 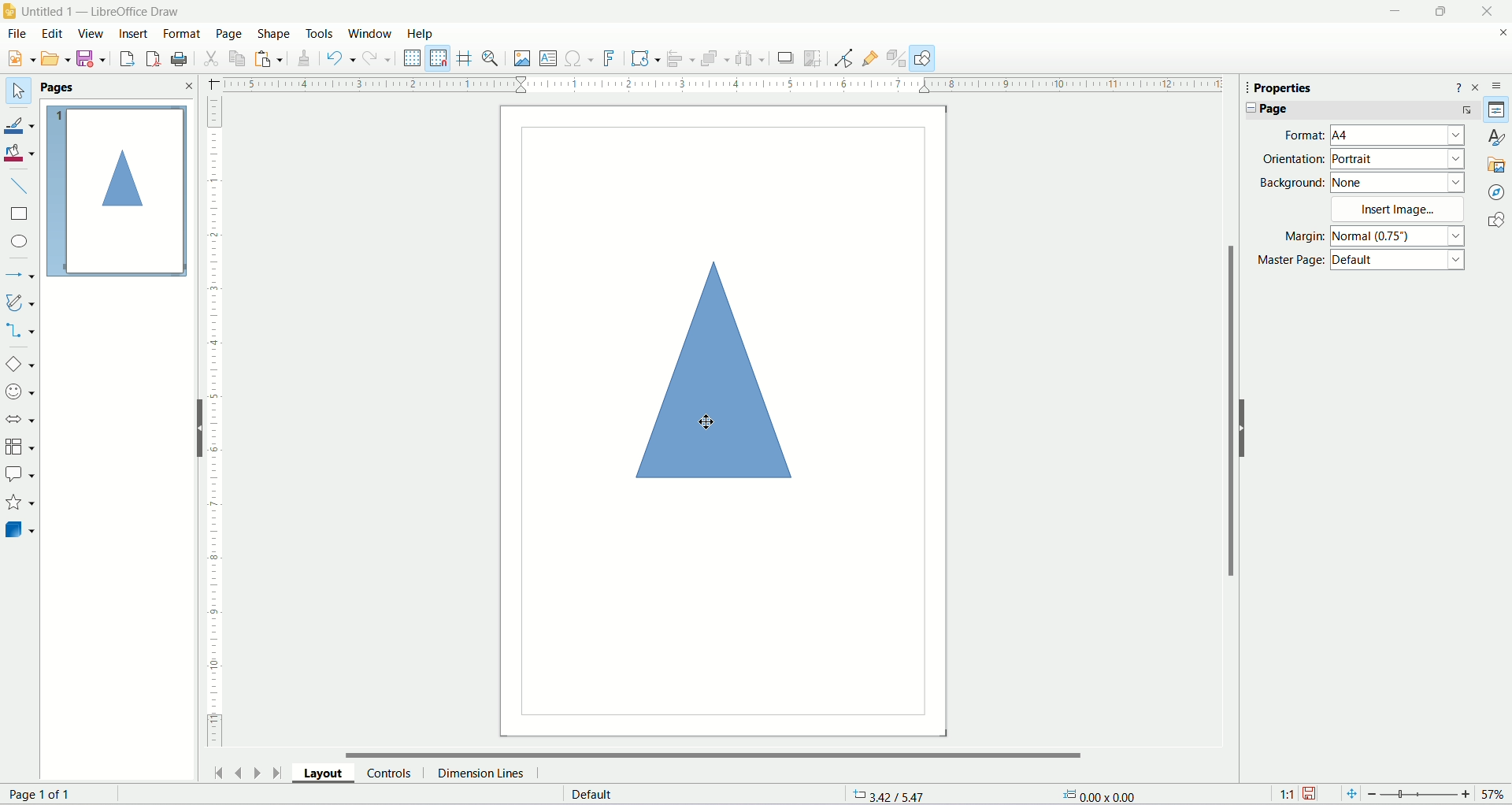 What do you see at coordinates (20, 185) in the screenshot?
I see `Insert line` at bounding box center [20, 185].